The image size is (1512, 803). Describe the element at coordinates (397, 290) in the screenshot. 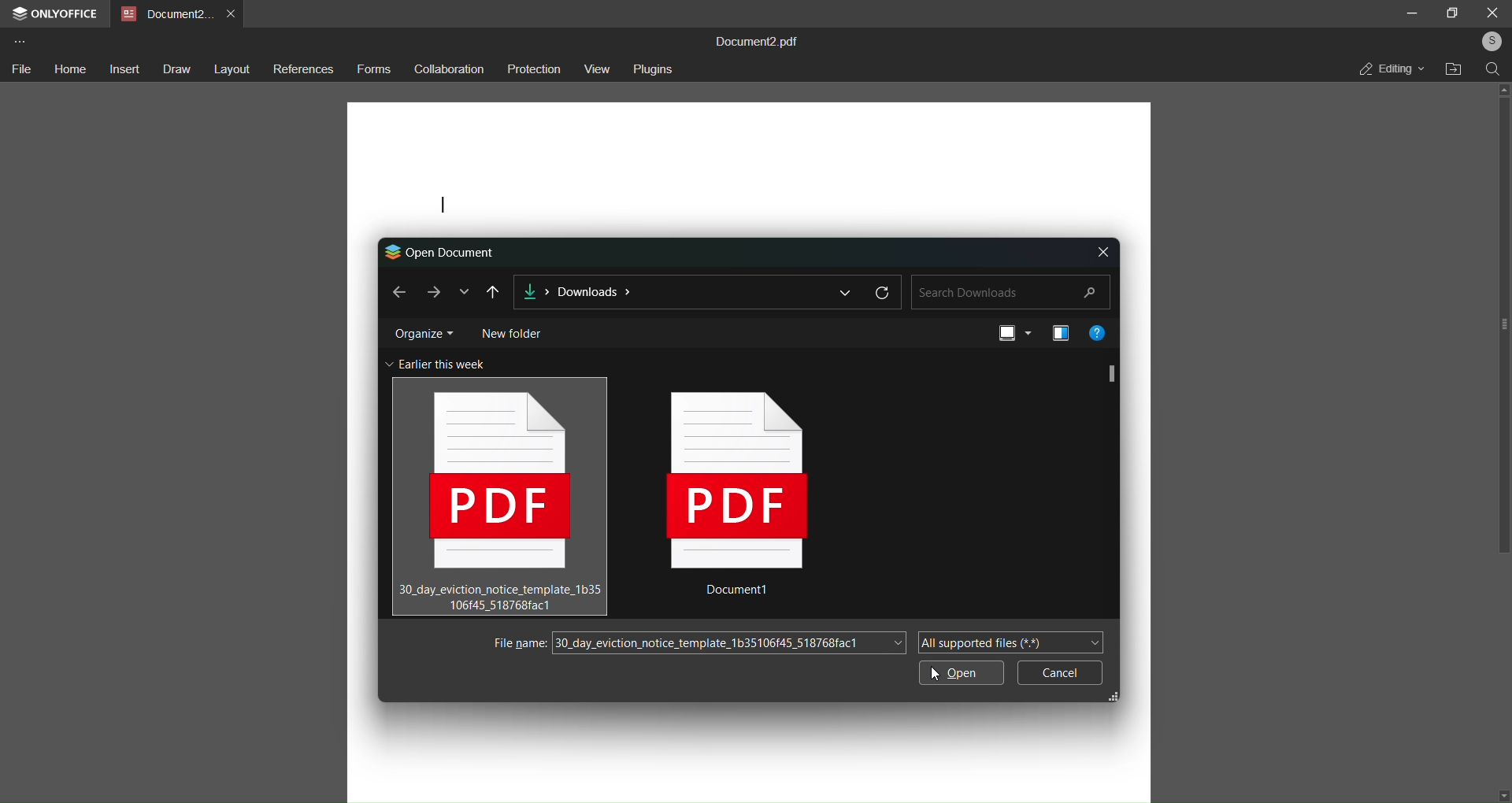

I see `back` at that location.